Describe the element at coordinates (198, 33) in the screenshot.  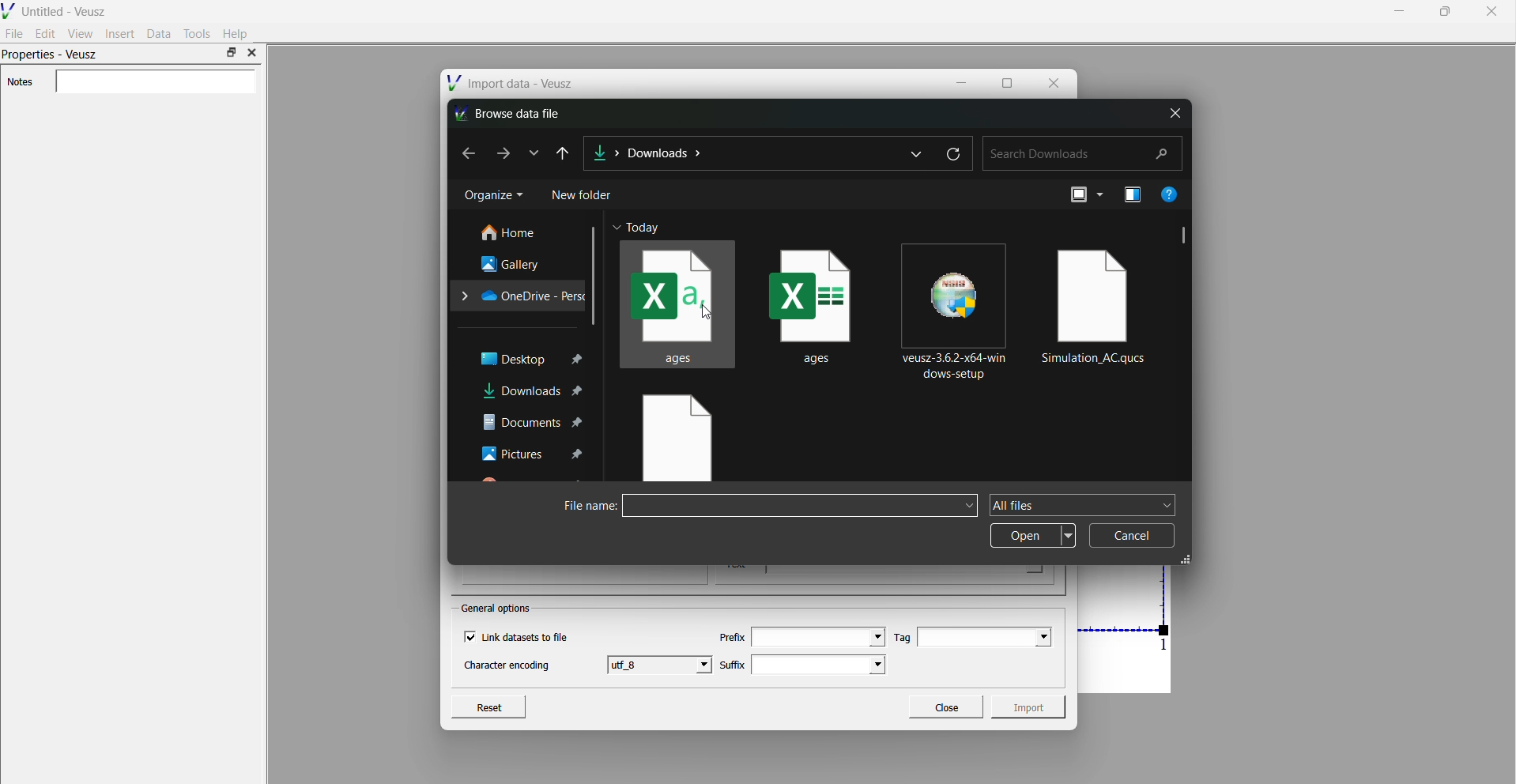
I see `Tools` at that location.